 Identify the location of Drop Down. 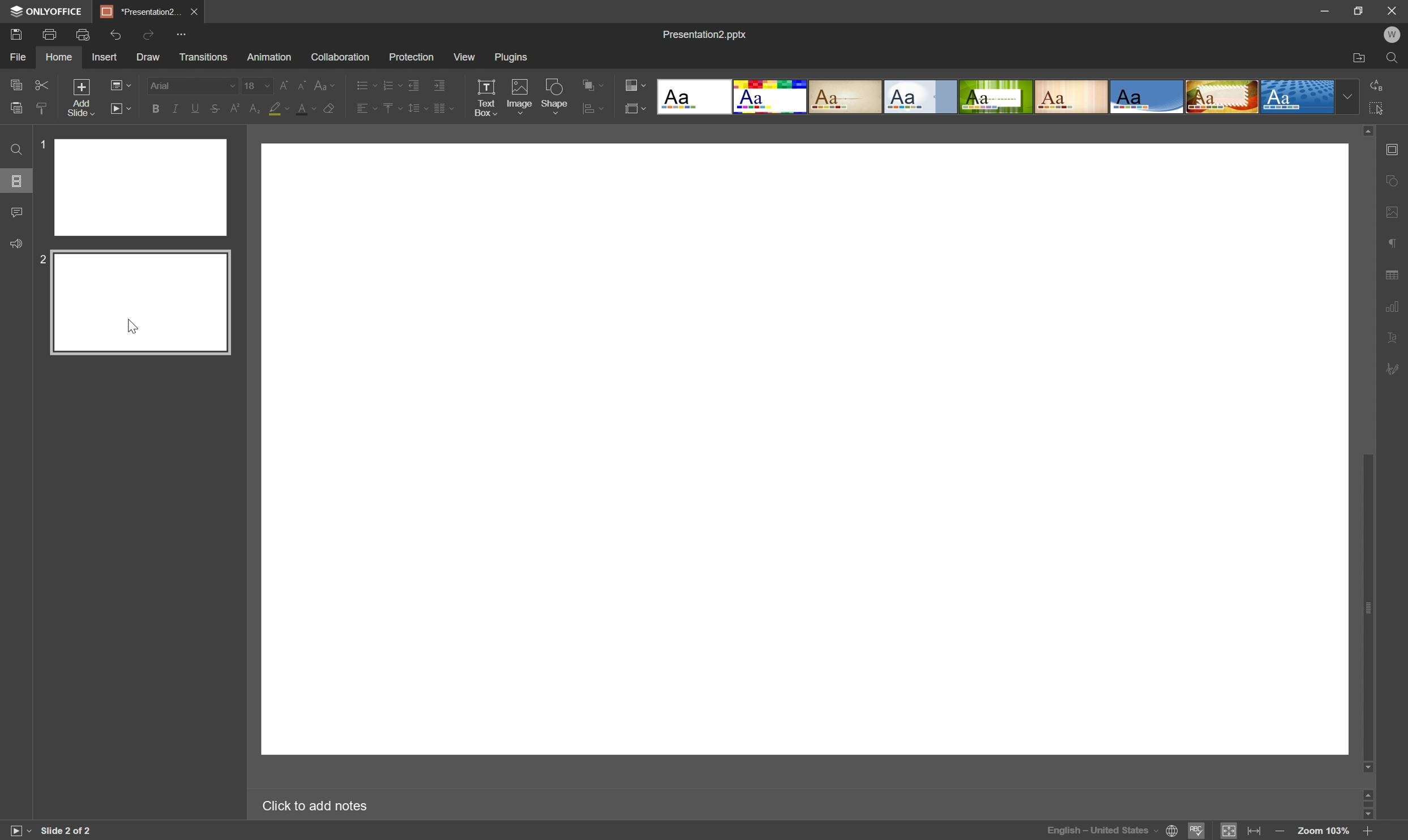
(1346, 97).